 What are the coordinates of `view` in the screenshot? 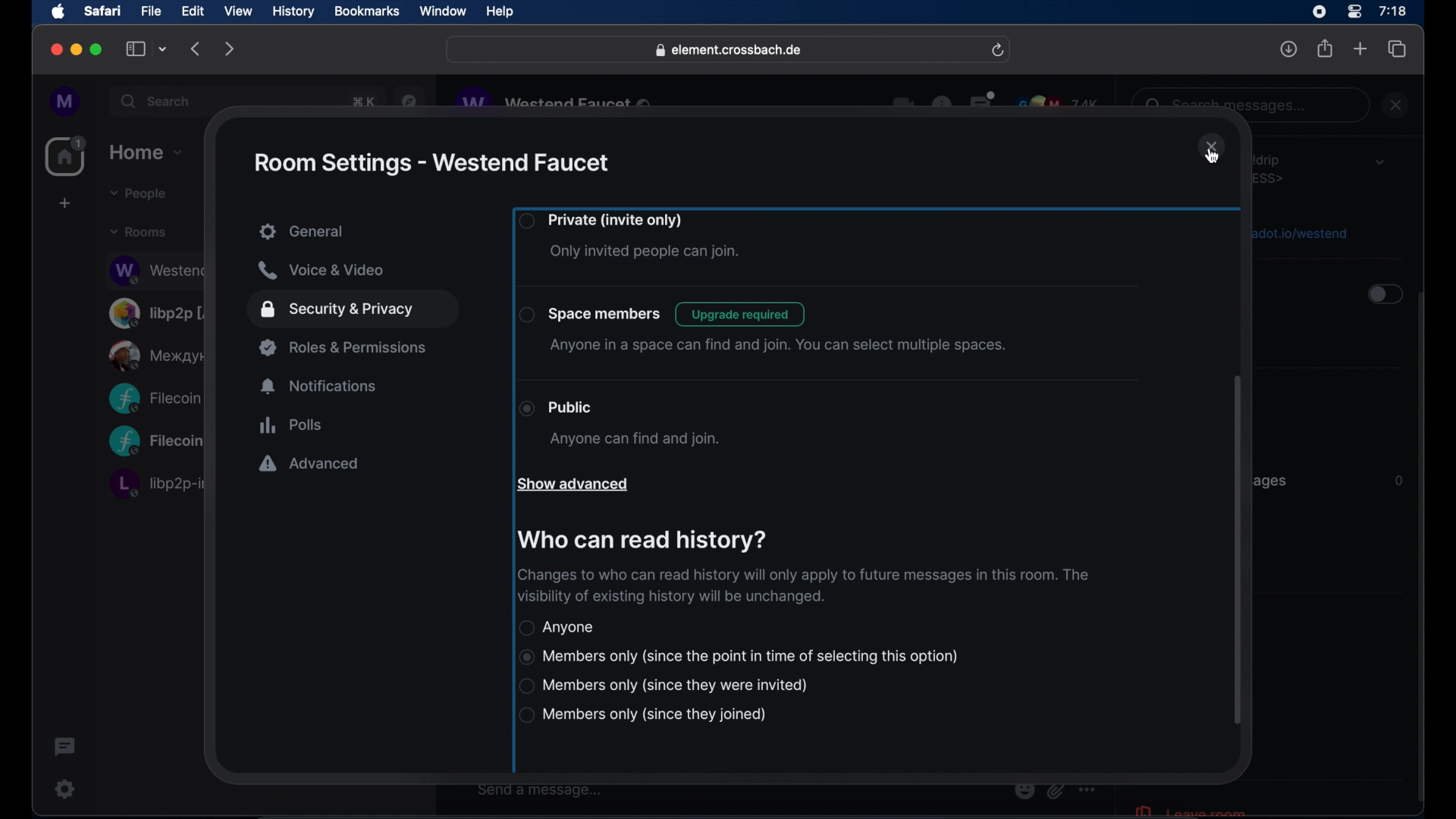 It's located at (237, 11).